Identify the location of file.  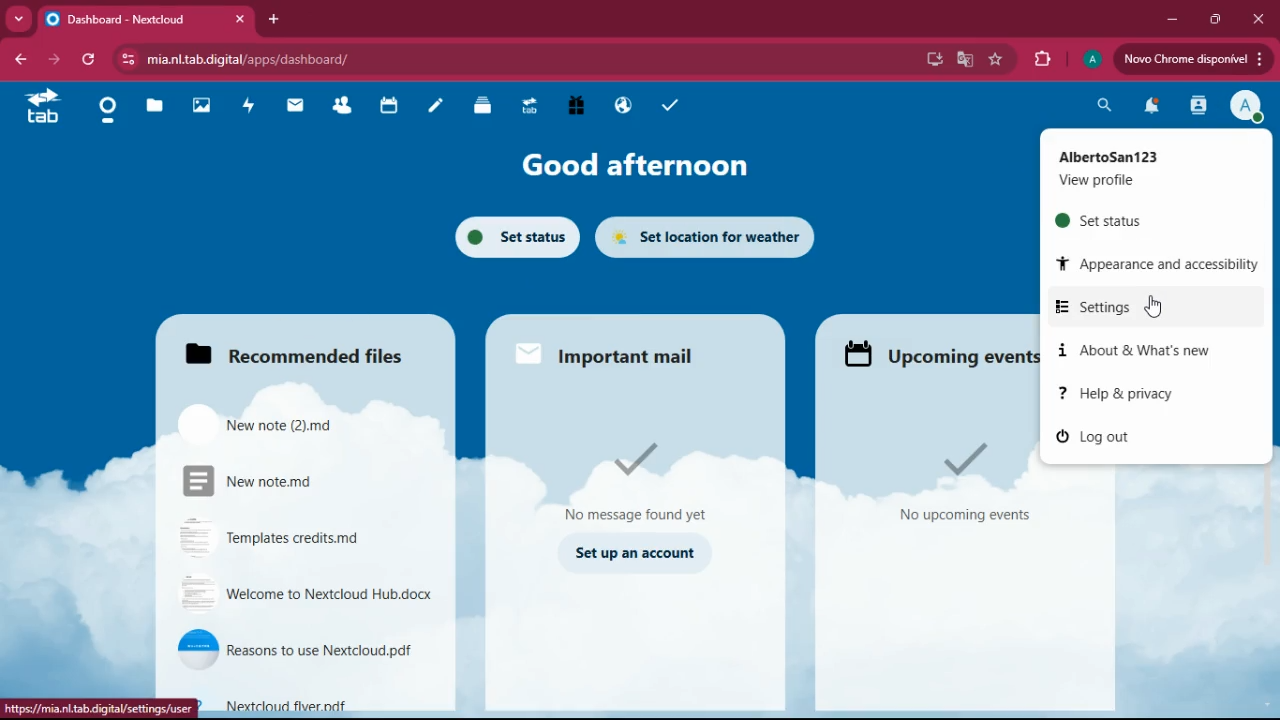
(298, 540).